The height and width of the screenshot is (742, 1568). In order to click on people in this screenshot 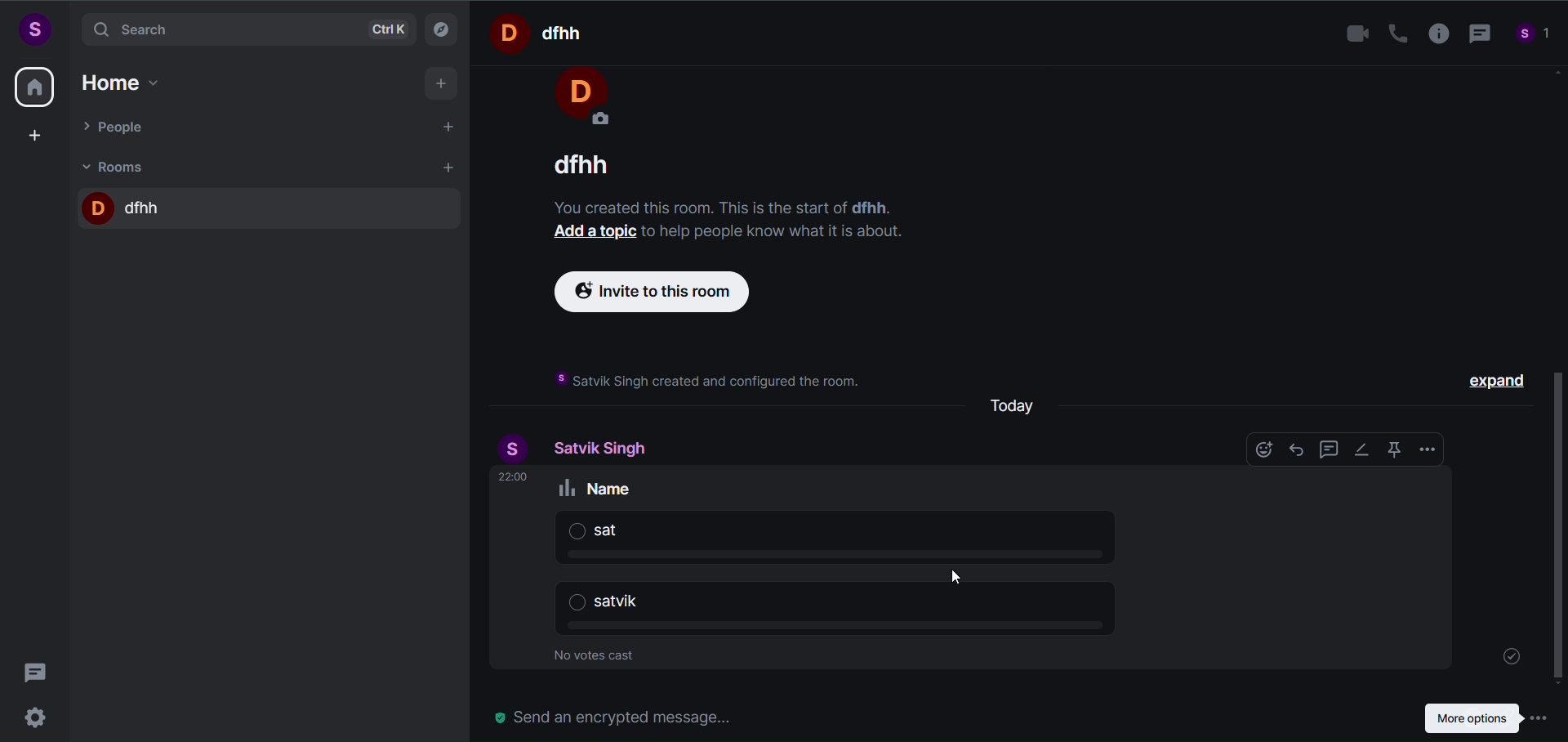, I will do `click(1534, 36)`.